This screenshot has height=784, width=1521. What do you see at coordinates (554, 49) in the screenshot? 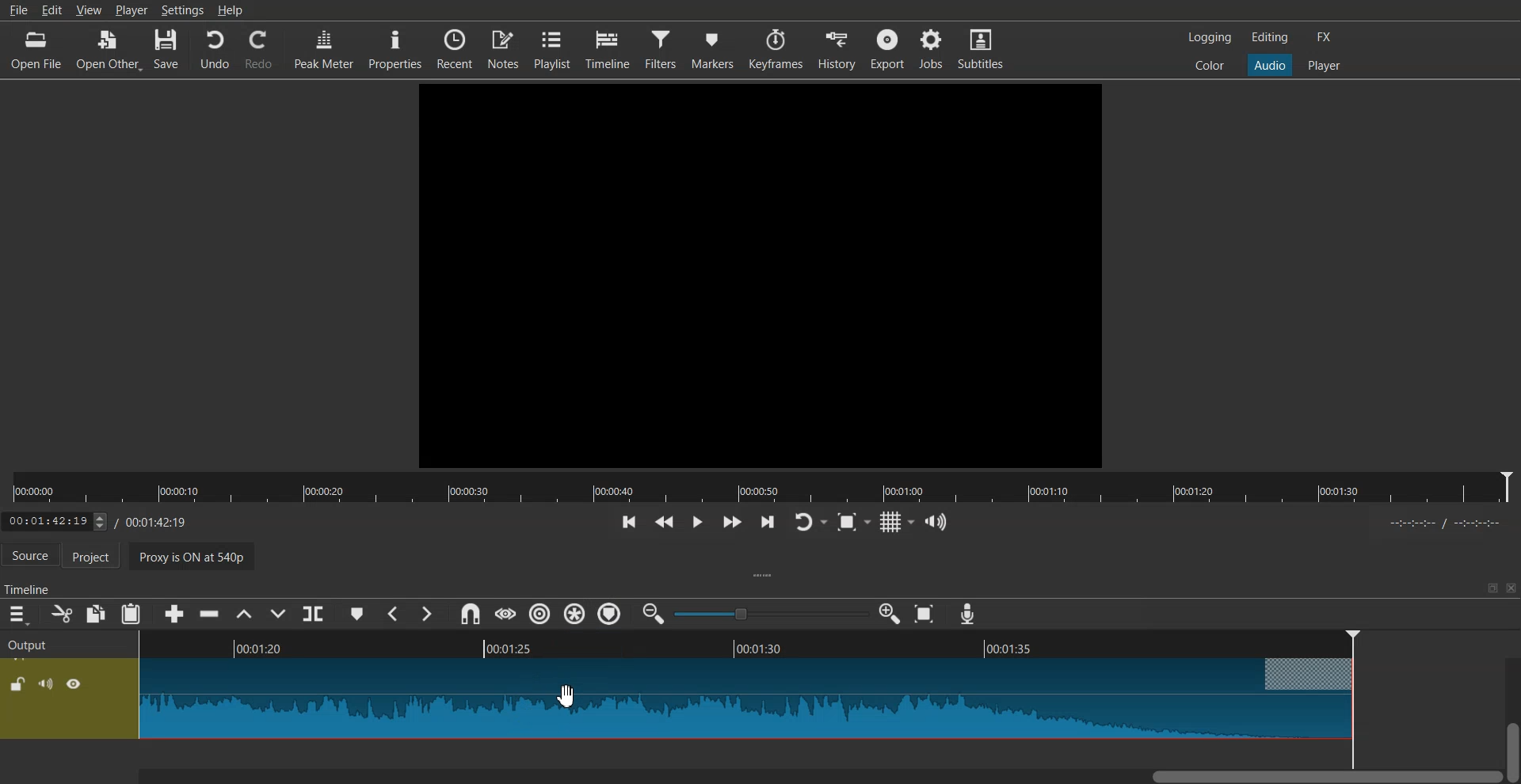
I see `Playlist` at bounding box center [554, 49].